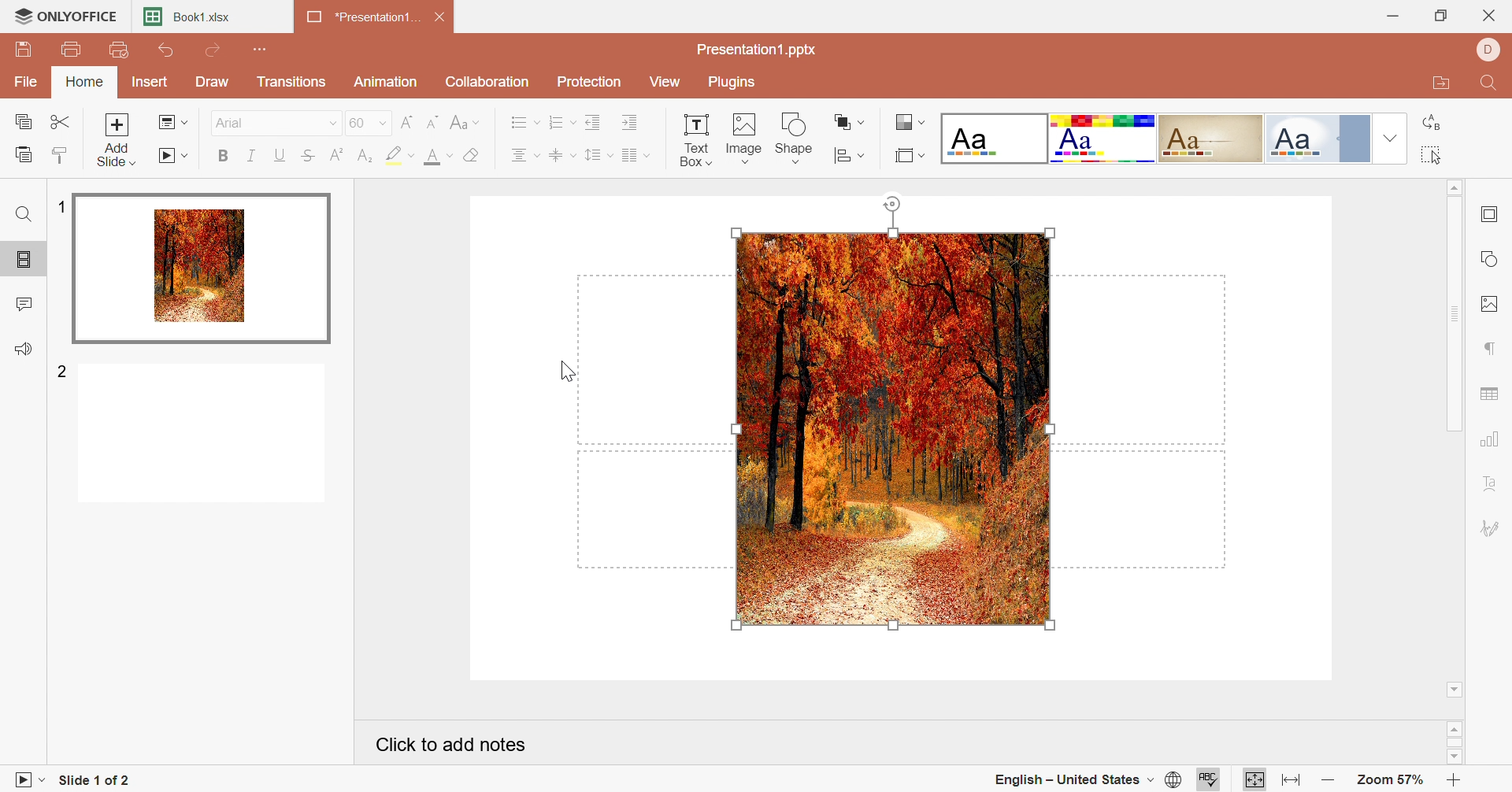 This screenshot has height=792, width=1512. What do you see at coordinates (568, 370) in the screenshot?
I see `Cursor` at bounding box center [568, 370].